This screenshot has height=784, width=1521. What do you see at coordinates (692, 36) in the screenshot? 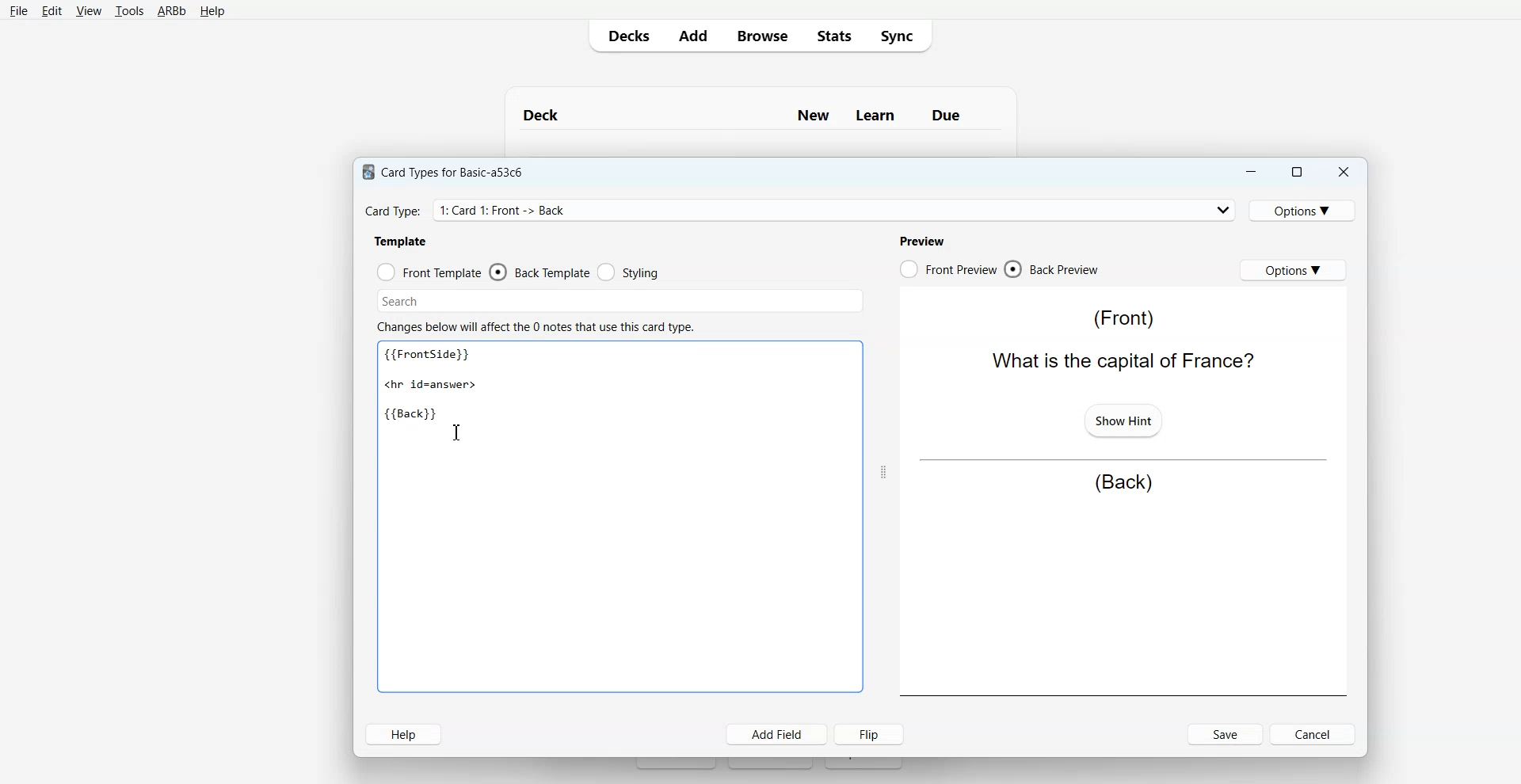
I see `Add` at bounding box center [692, 36].